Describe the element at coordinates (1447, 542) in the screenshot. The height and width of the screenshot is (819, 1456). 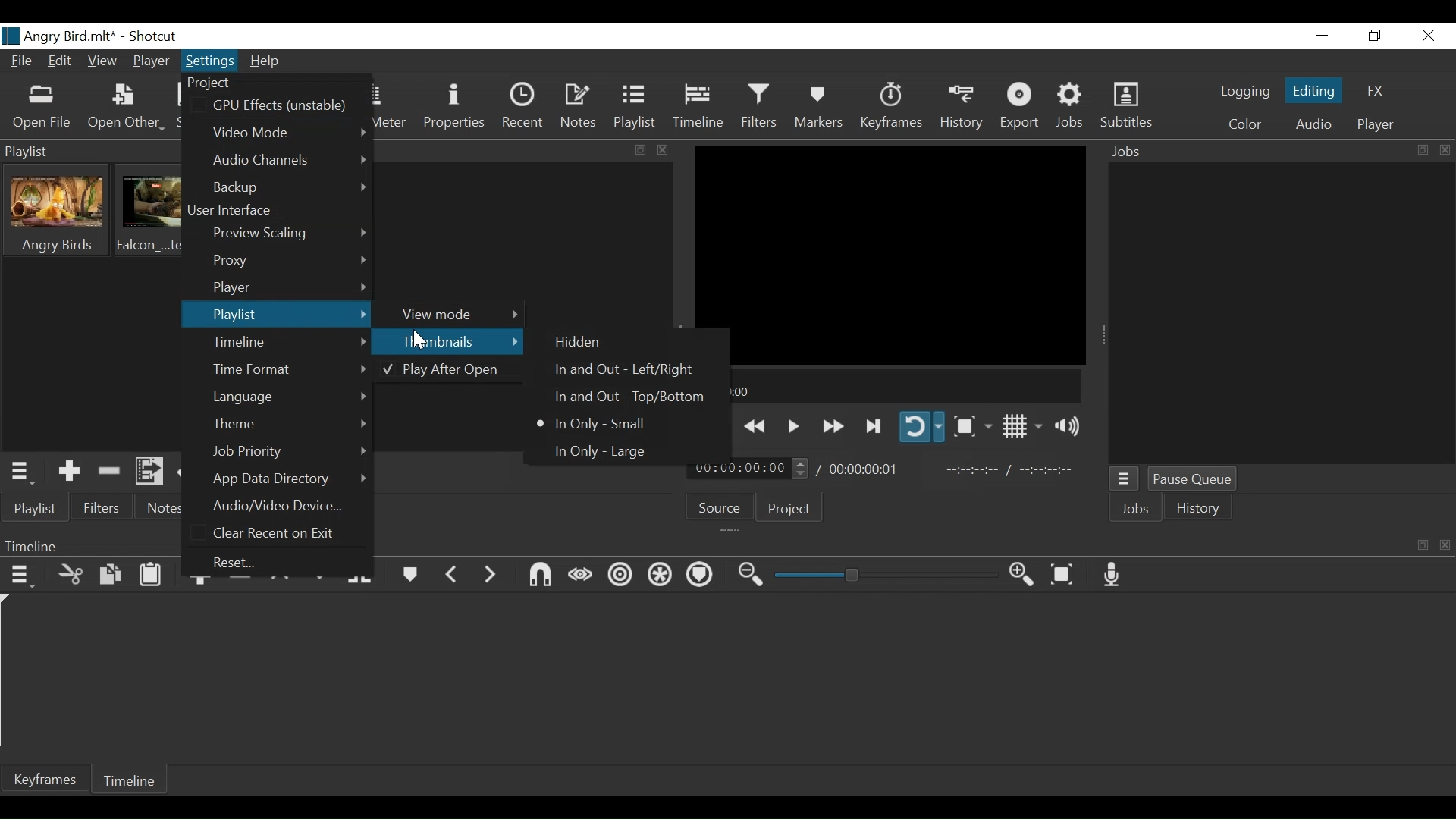
I see `close` at that location.